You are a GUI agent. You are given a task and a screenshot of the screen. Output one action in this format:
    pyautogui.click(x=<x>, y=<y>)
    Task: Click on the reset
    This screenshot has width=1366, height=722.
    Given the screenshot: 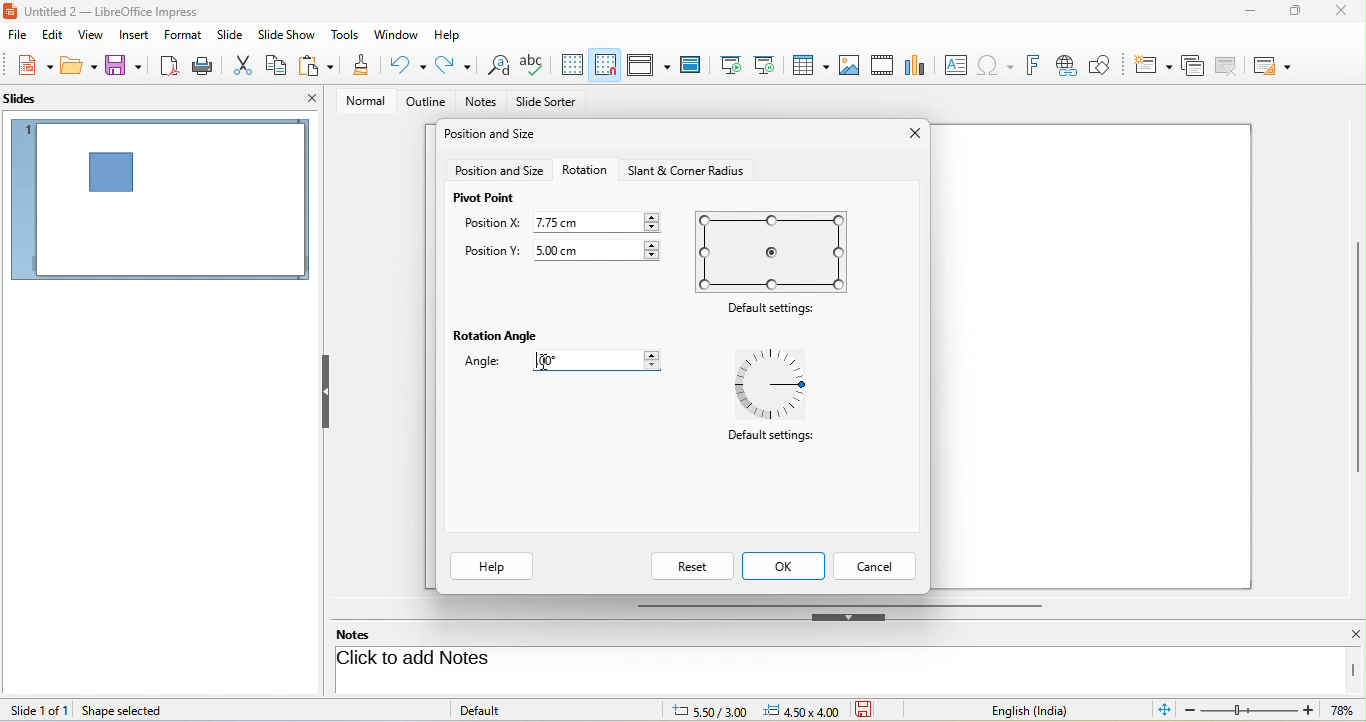 What is the action you would take?
    pyautogui.click(x=691, y=566)
    